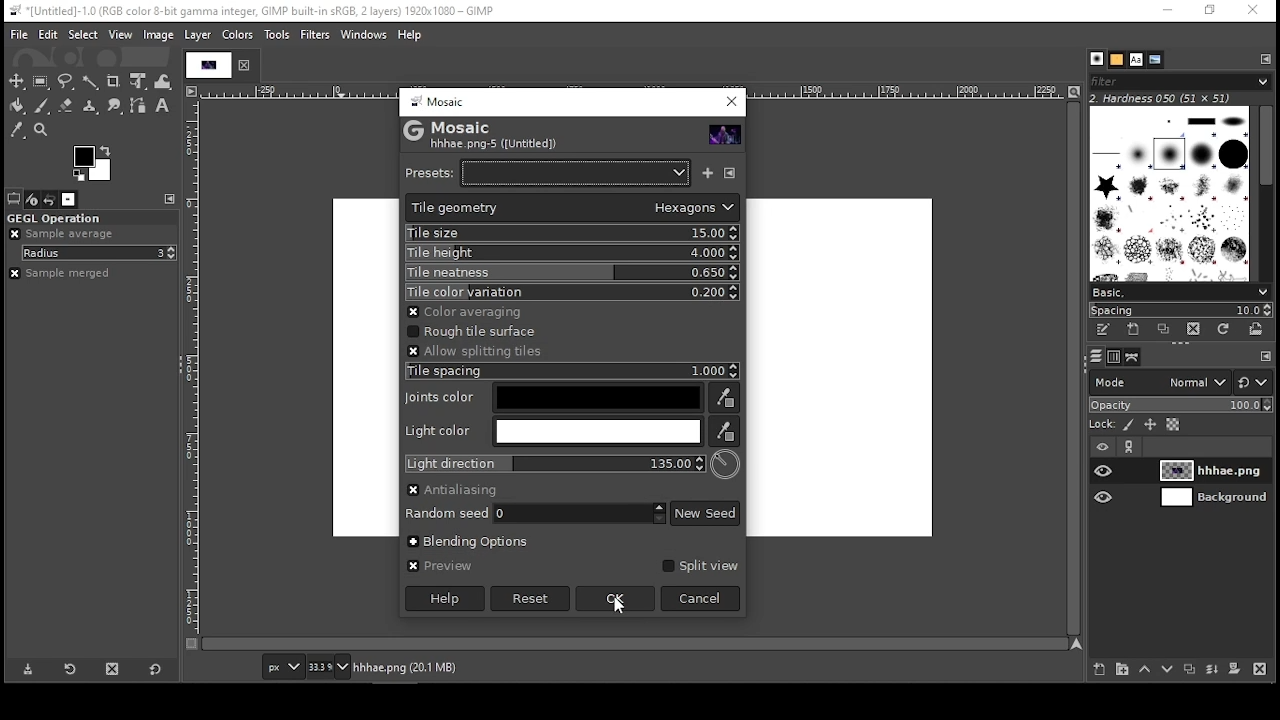 Image resolution: width=1280 pixels, height=720 pixels. What do you see at coordinates (1254, 330) in the screenshot?
I see `open brush as image` at bounding box center [1254, 330].